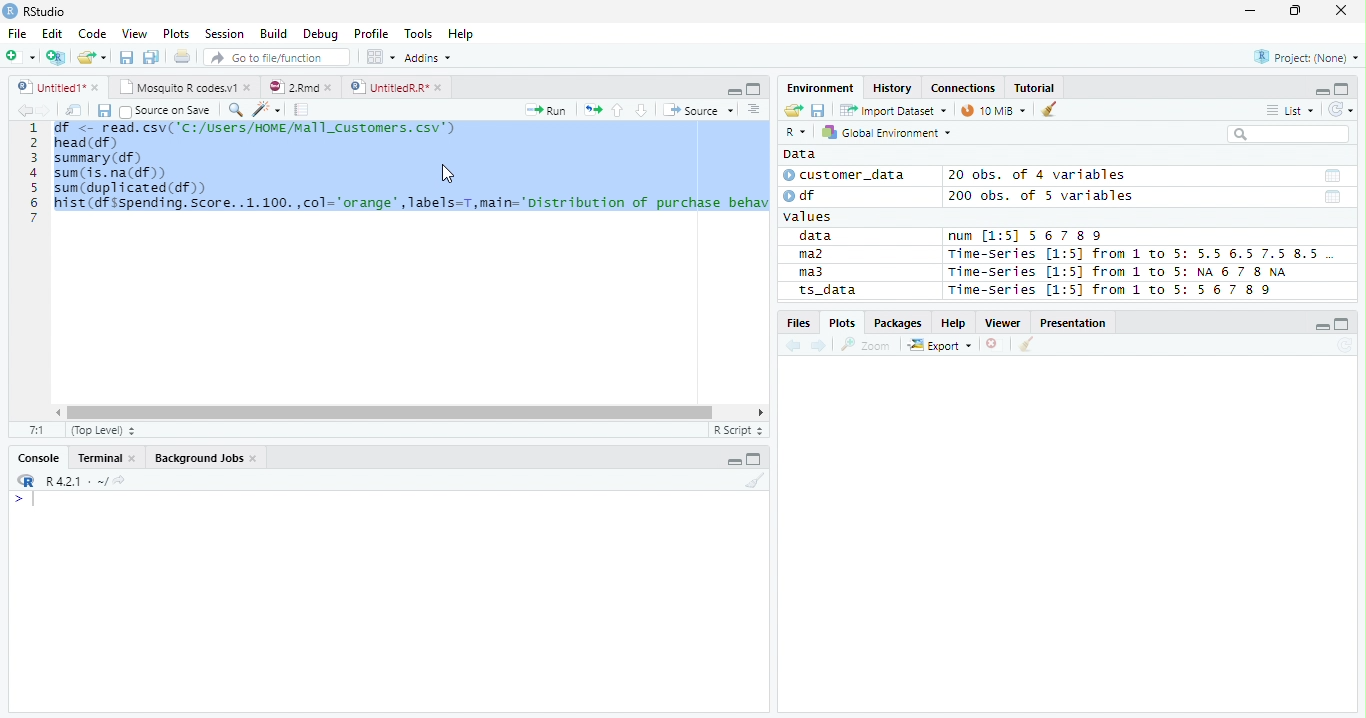 The height and width of the screenshot is (718, 1366). I want to click on Maximize, so click(753, 88).